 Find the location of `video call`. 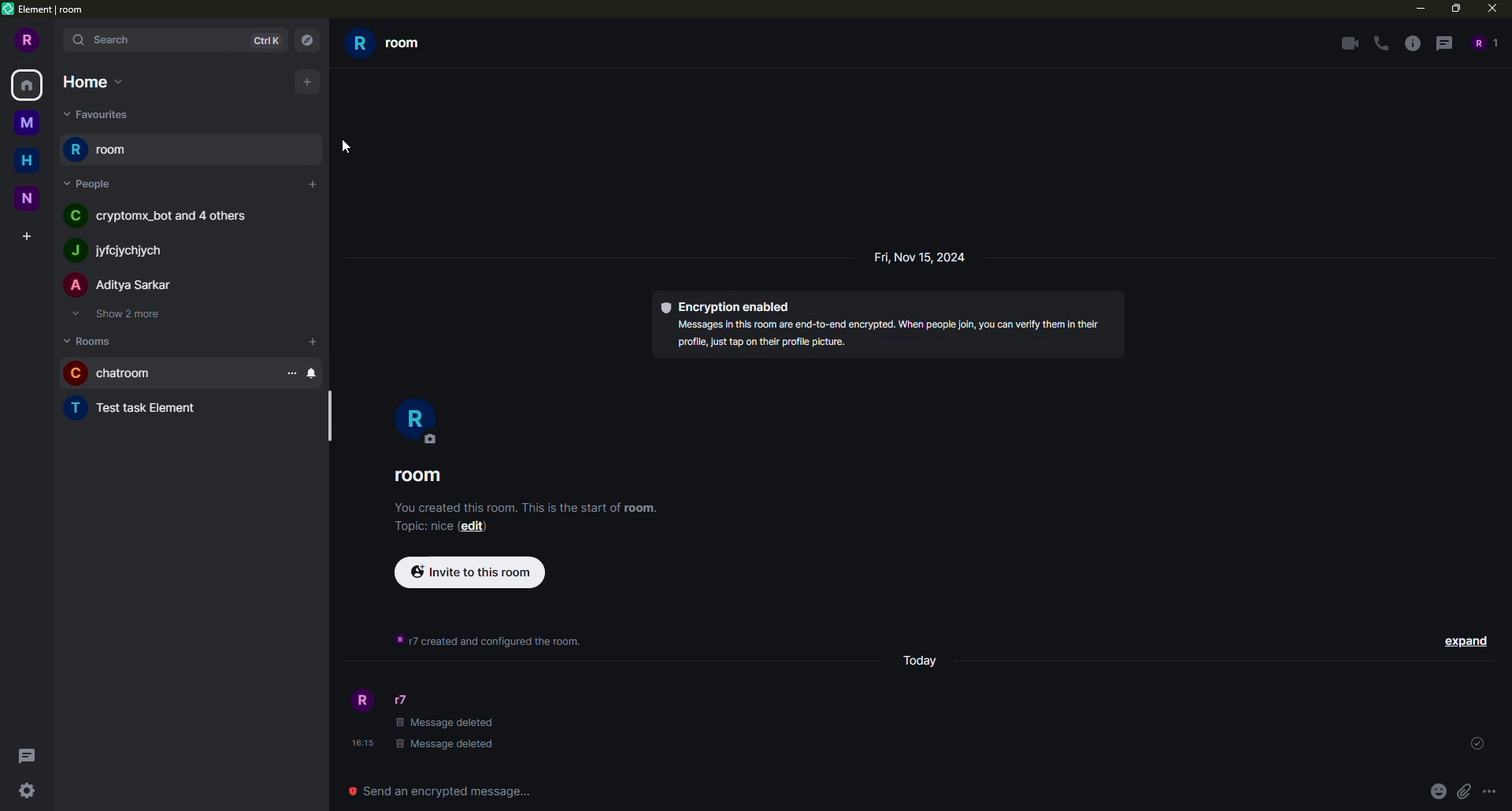

video call is located at coordinates (1347, 43).